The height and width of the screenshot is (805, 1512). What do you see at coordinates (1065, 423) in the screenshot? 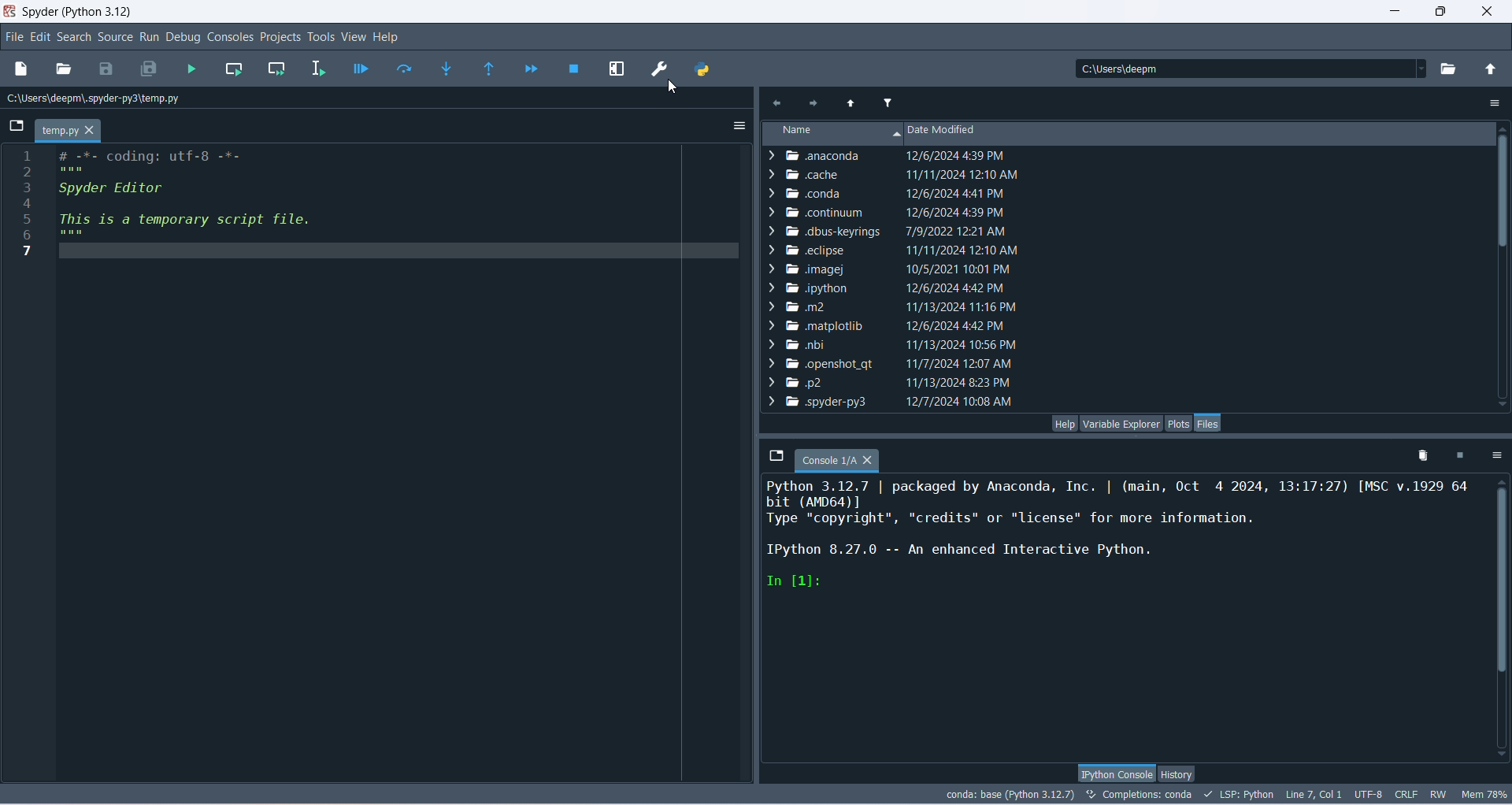
I see `help` at bounding box center [1065, 423].